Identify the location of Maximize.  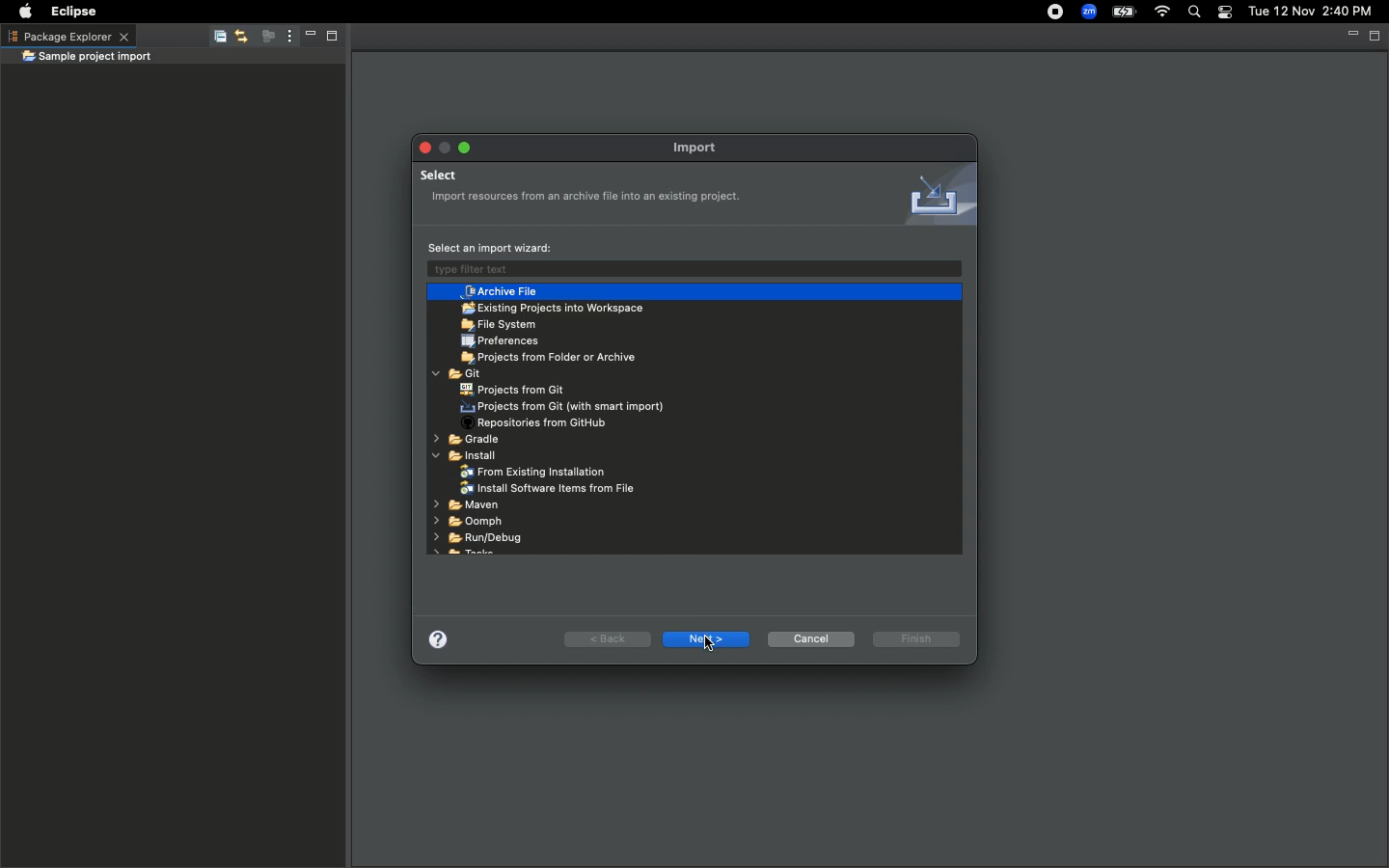
(1375, 36).